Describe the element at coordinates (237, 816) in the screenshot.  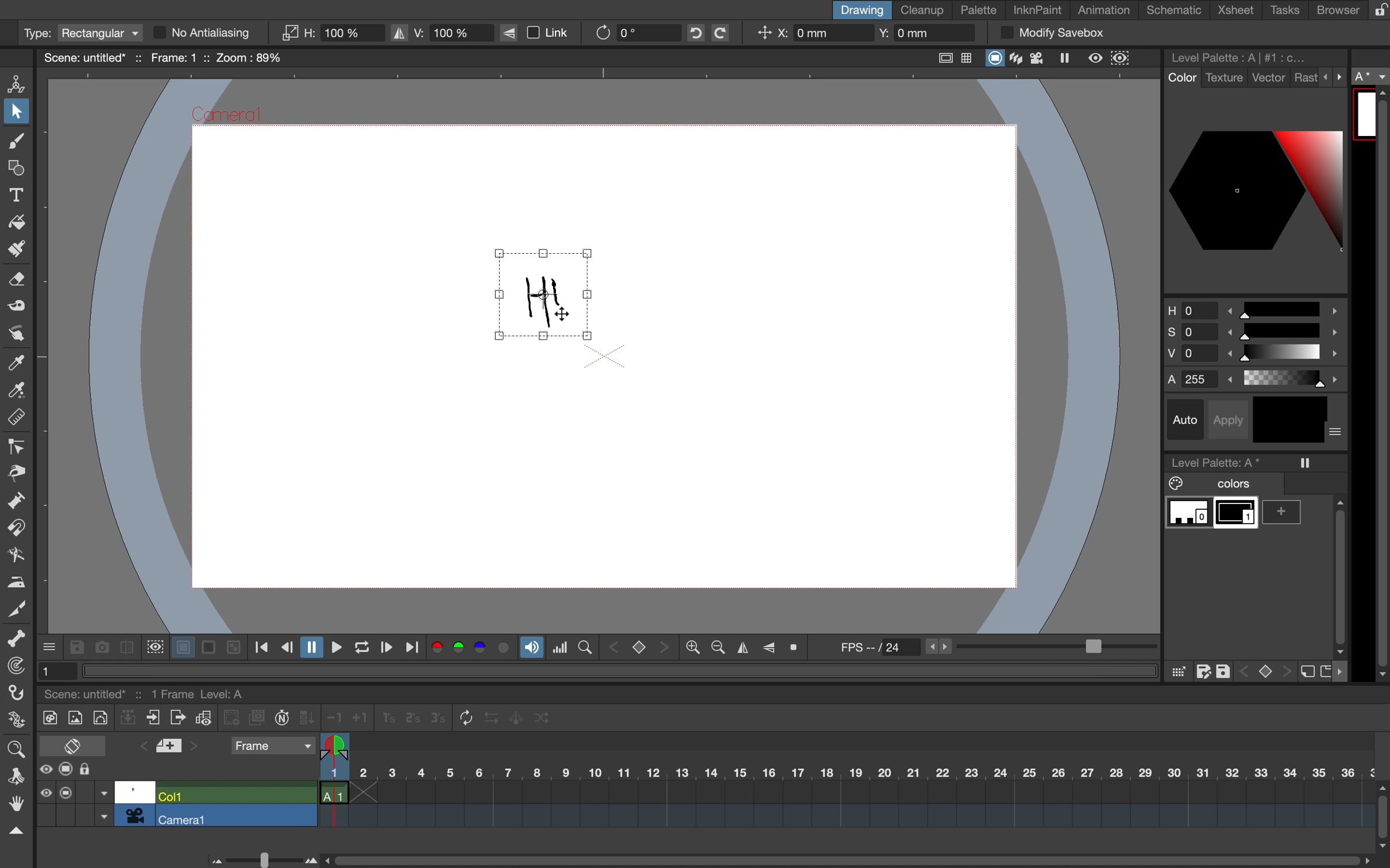
I see `camera 1` at that location.